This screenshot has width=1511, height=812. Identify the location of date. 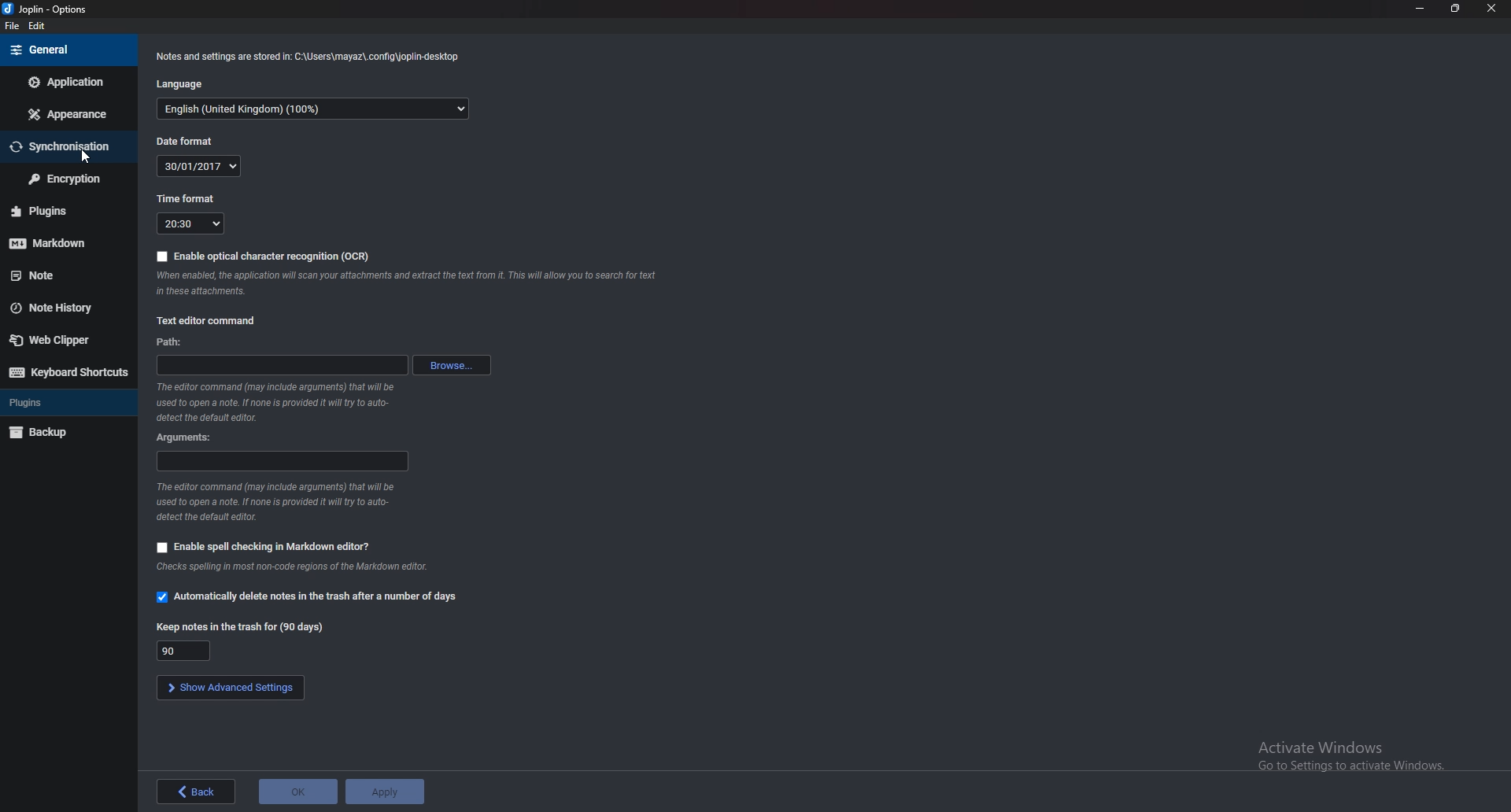
(197, 167).